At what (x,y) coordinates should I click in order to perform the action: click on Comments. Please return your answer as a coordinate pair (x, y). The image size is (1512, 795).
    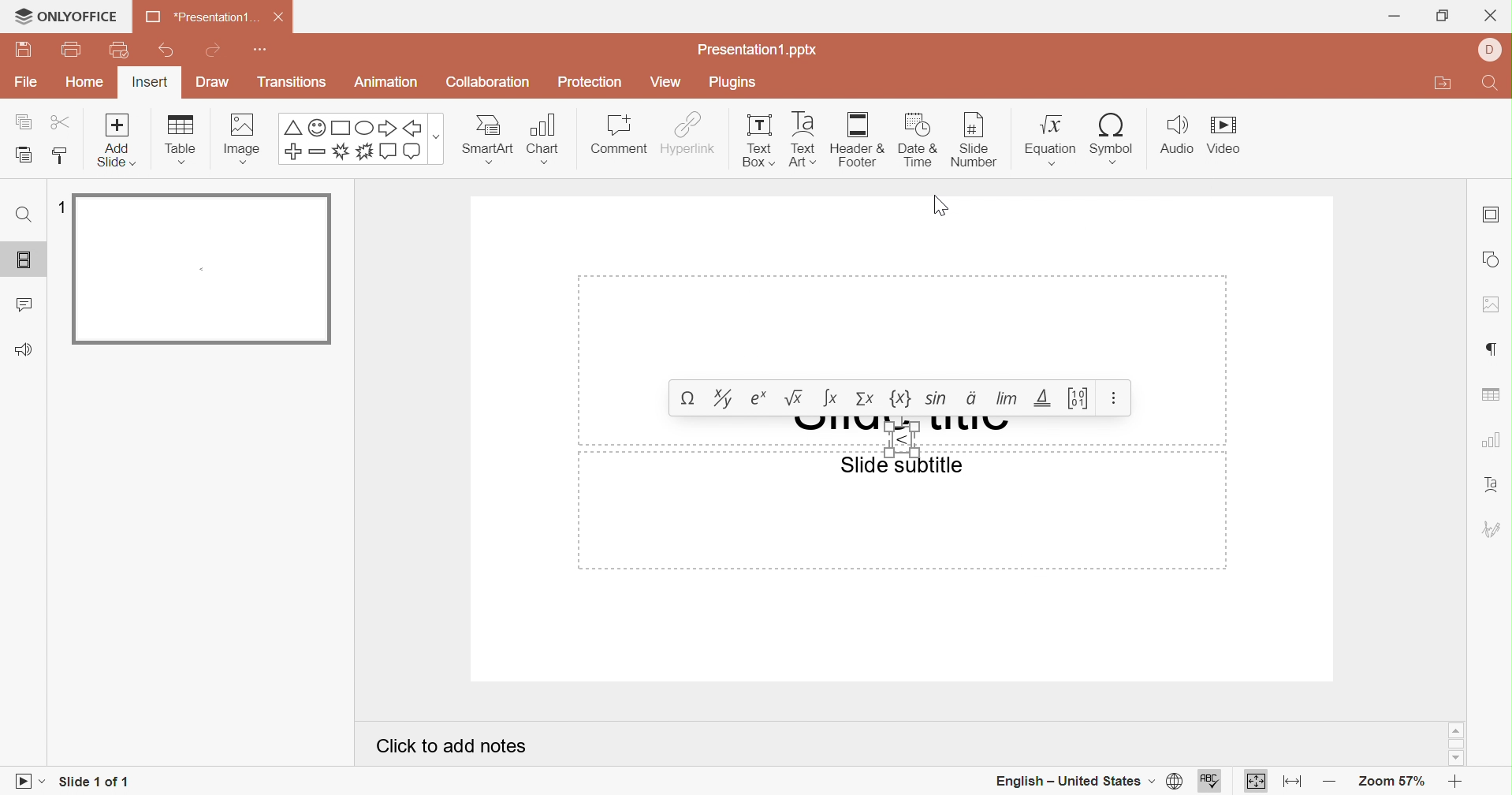
    Looking at the image, I should click on (25, 303).